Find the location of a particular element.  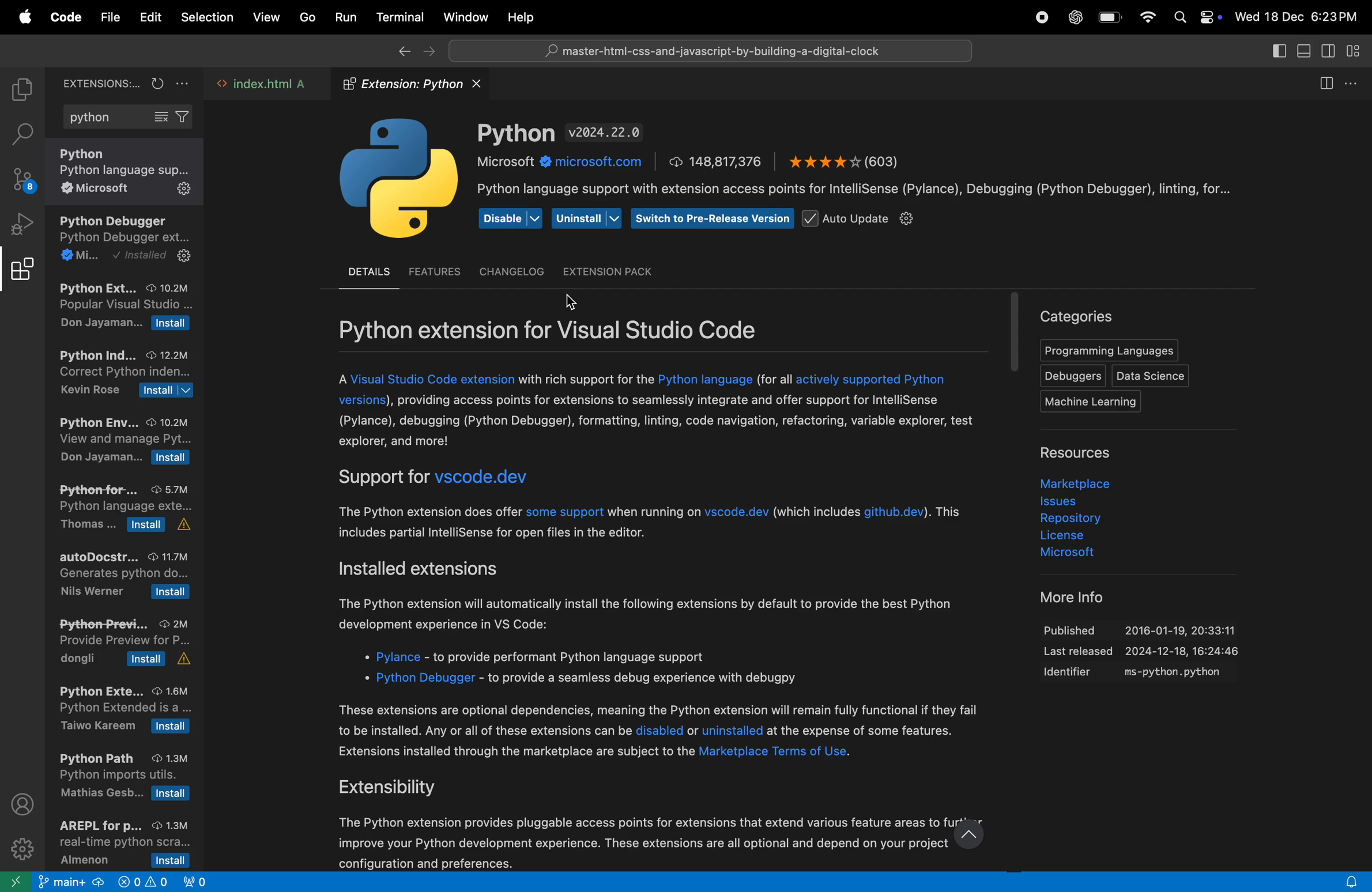

options is located at coordinates (1358, 81).